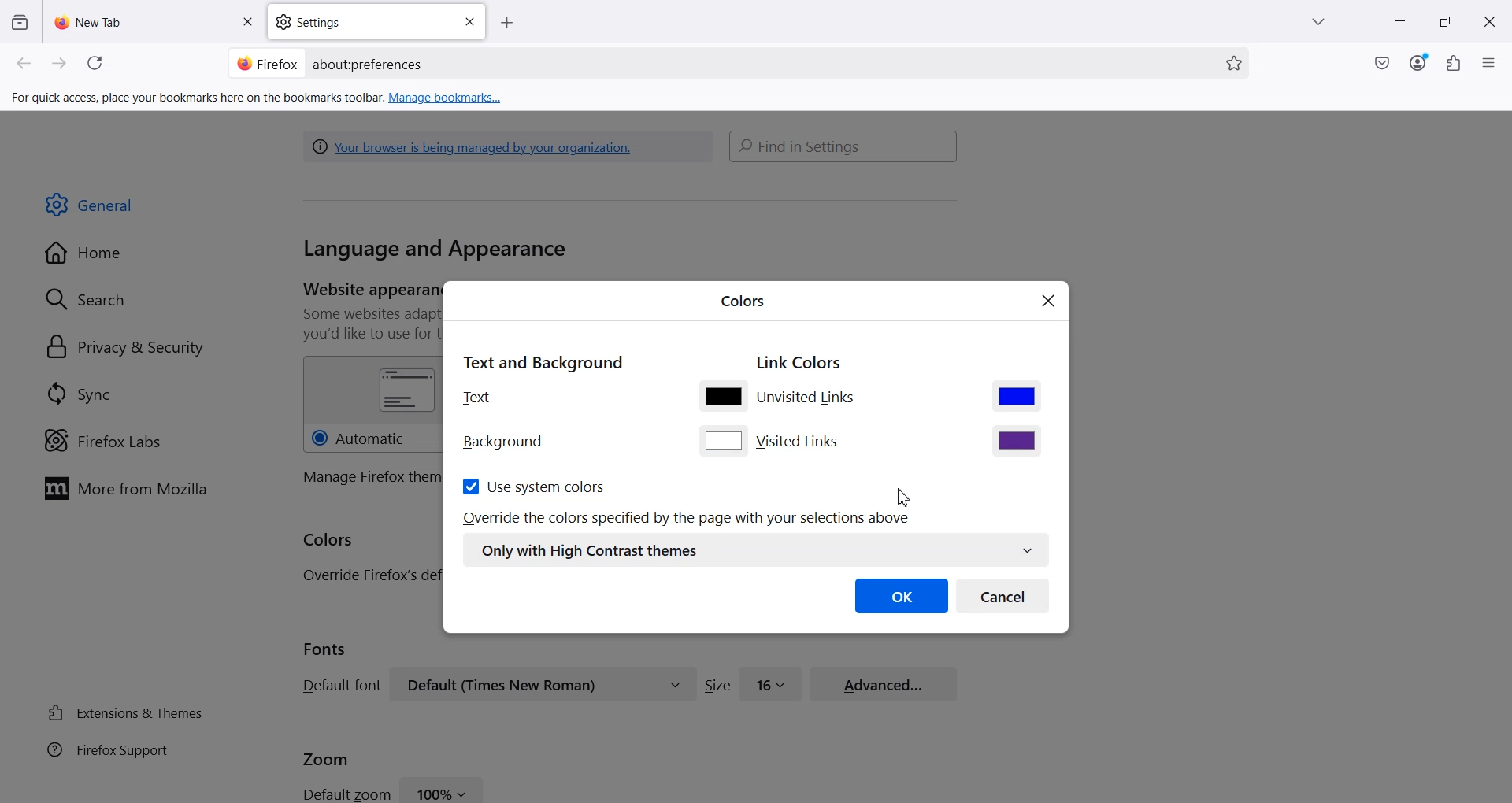 The width and height of the screenshot is (1512, 803). What do you see at coordinates (325, 649) in the screenshot?
I see `Fonts` at bounding box center [325, 649].